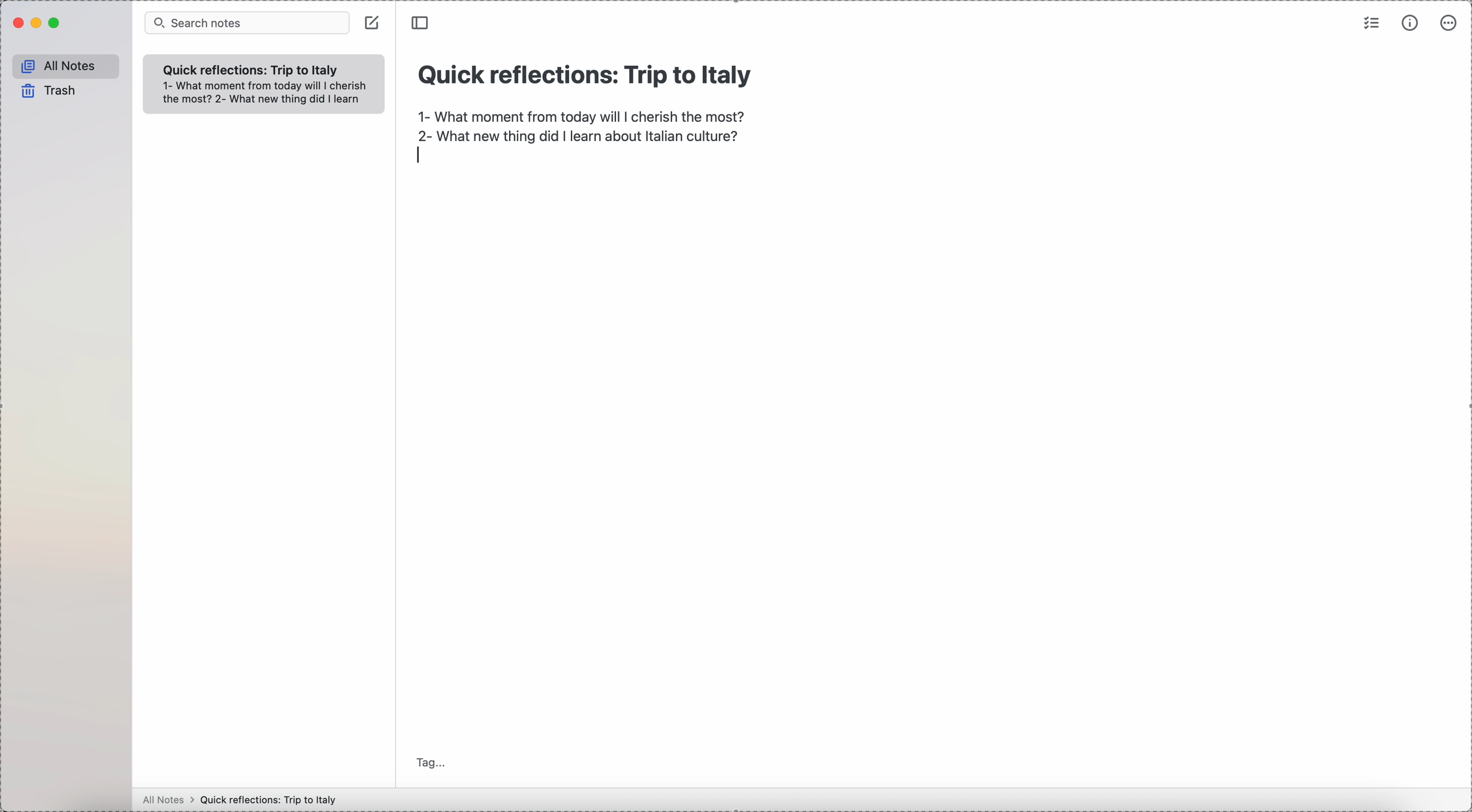 This screenshot has height=812, width=1472. I want to click on 2- What new thing did I learn about Italian culture?, so click(265, 101).